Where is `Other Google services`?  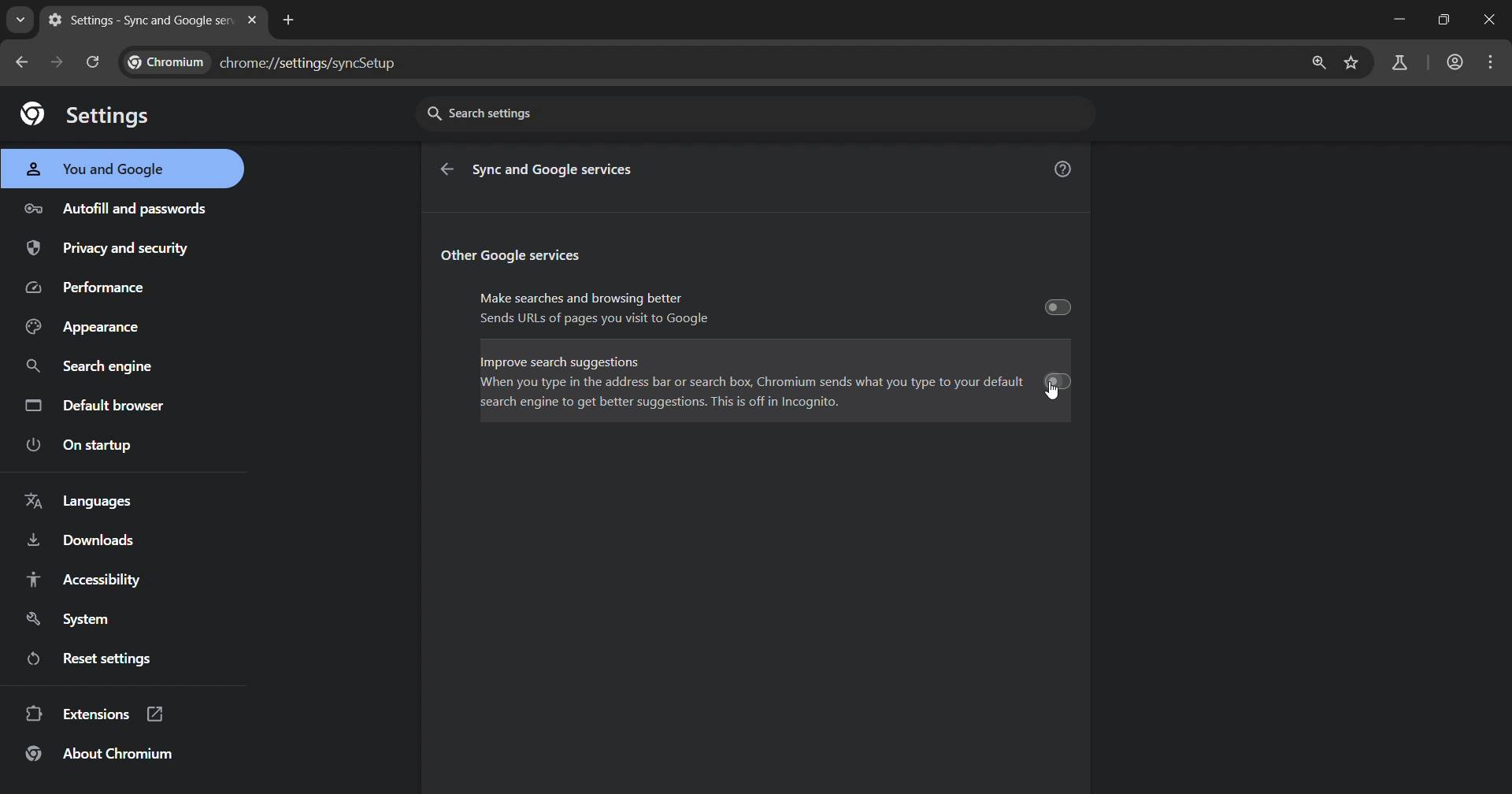 Other Google services is located at coordinates (514, 254).